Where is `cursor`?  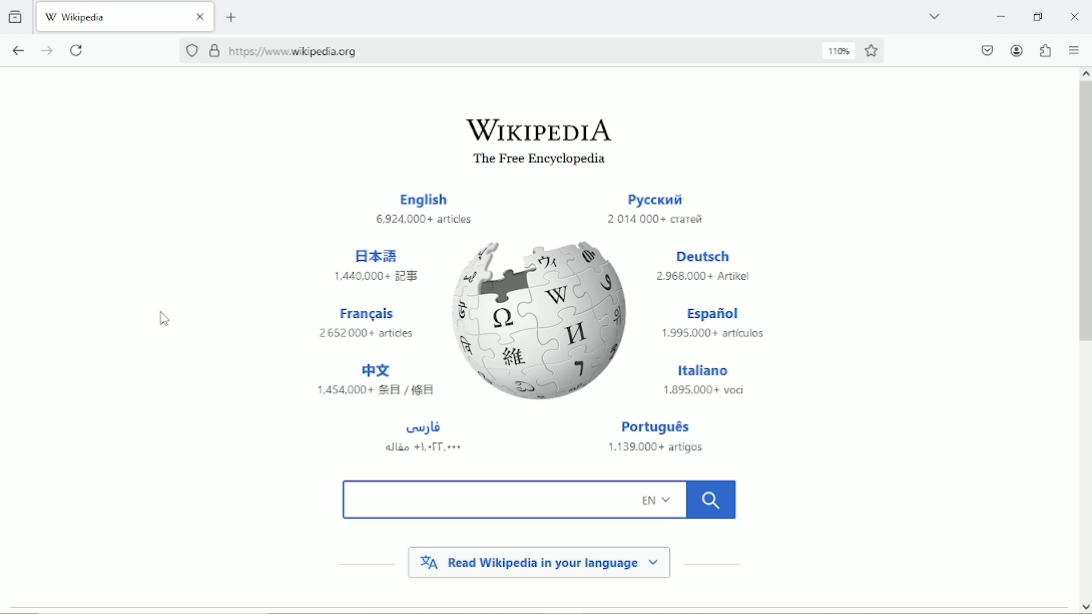
cursor is located at coordinates (165, 319).